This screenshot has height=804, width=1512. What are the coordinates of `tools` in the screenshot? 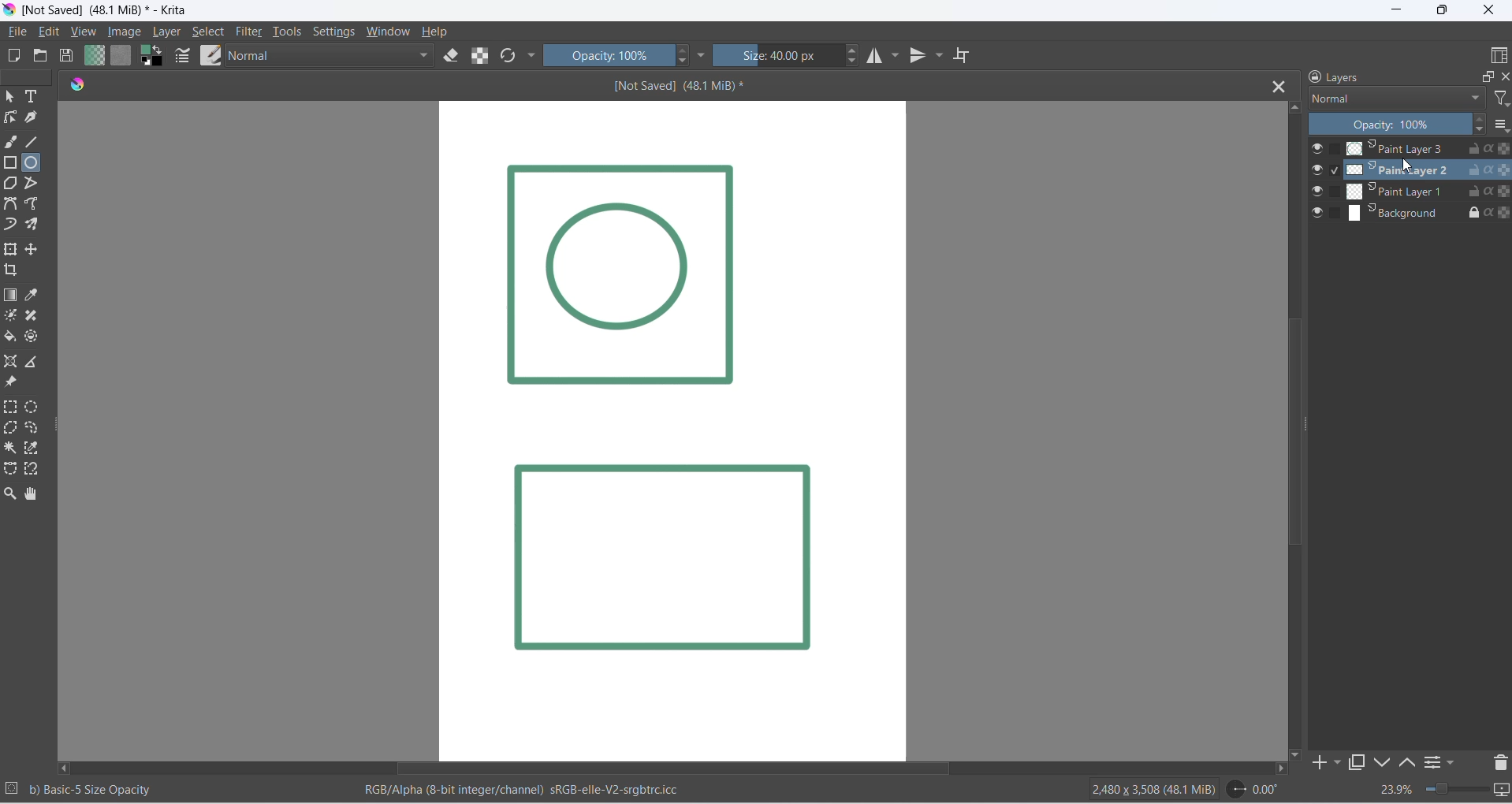 It's located at (288, 32).